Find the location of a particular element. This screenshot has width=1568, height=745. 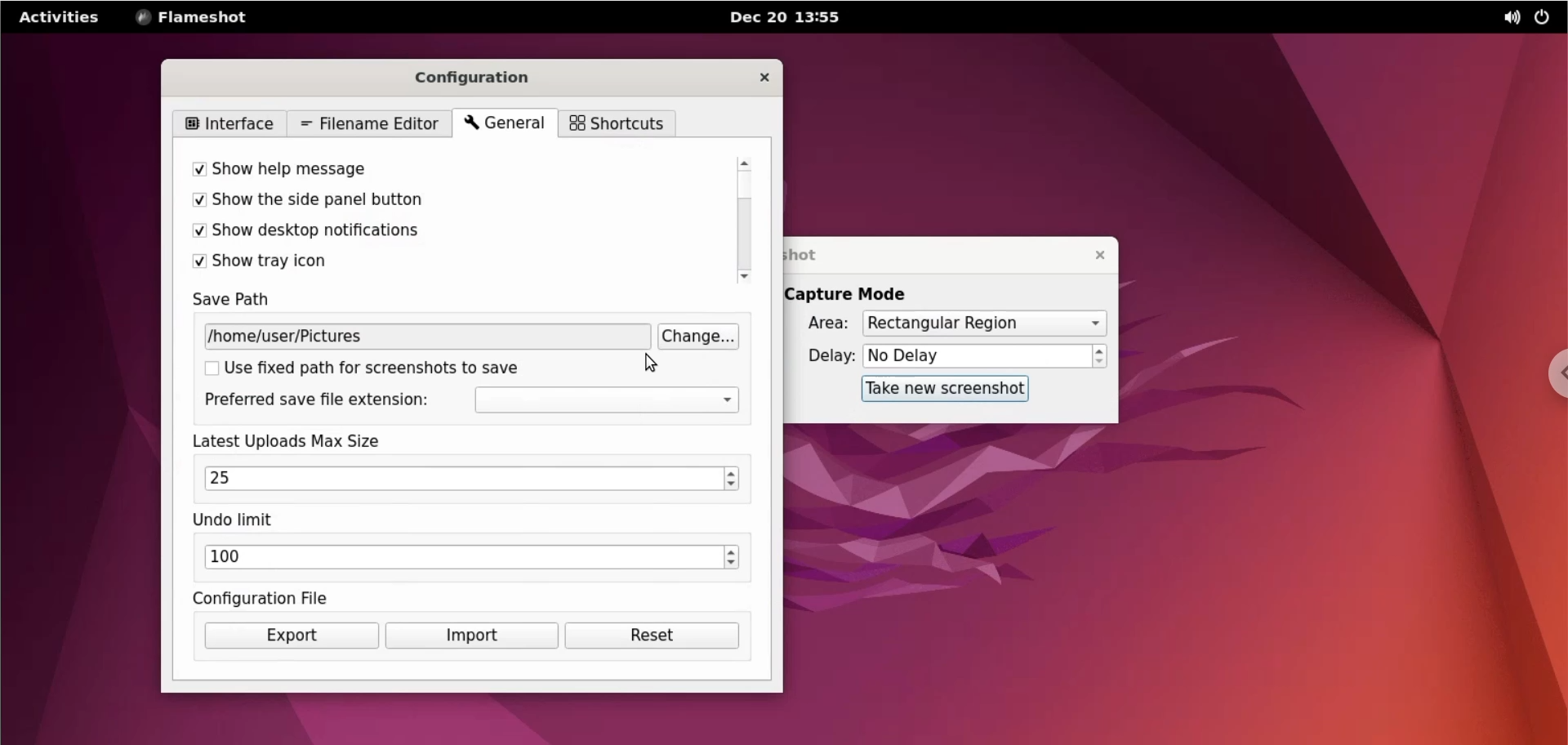

preferred save file extension: is located at coordinates (323, 402).